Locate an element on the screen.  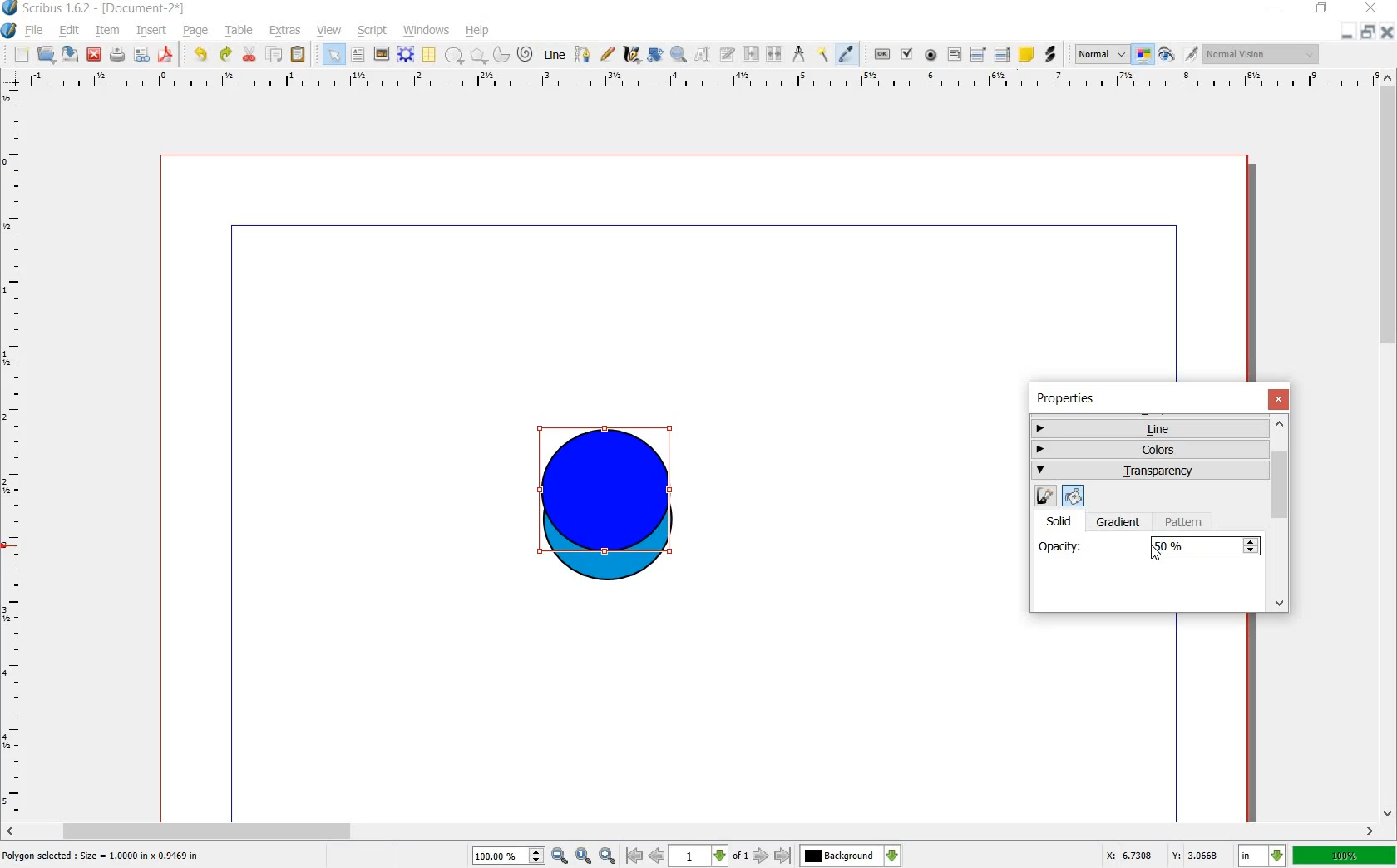
image frame is located at coordinates (381, 54).